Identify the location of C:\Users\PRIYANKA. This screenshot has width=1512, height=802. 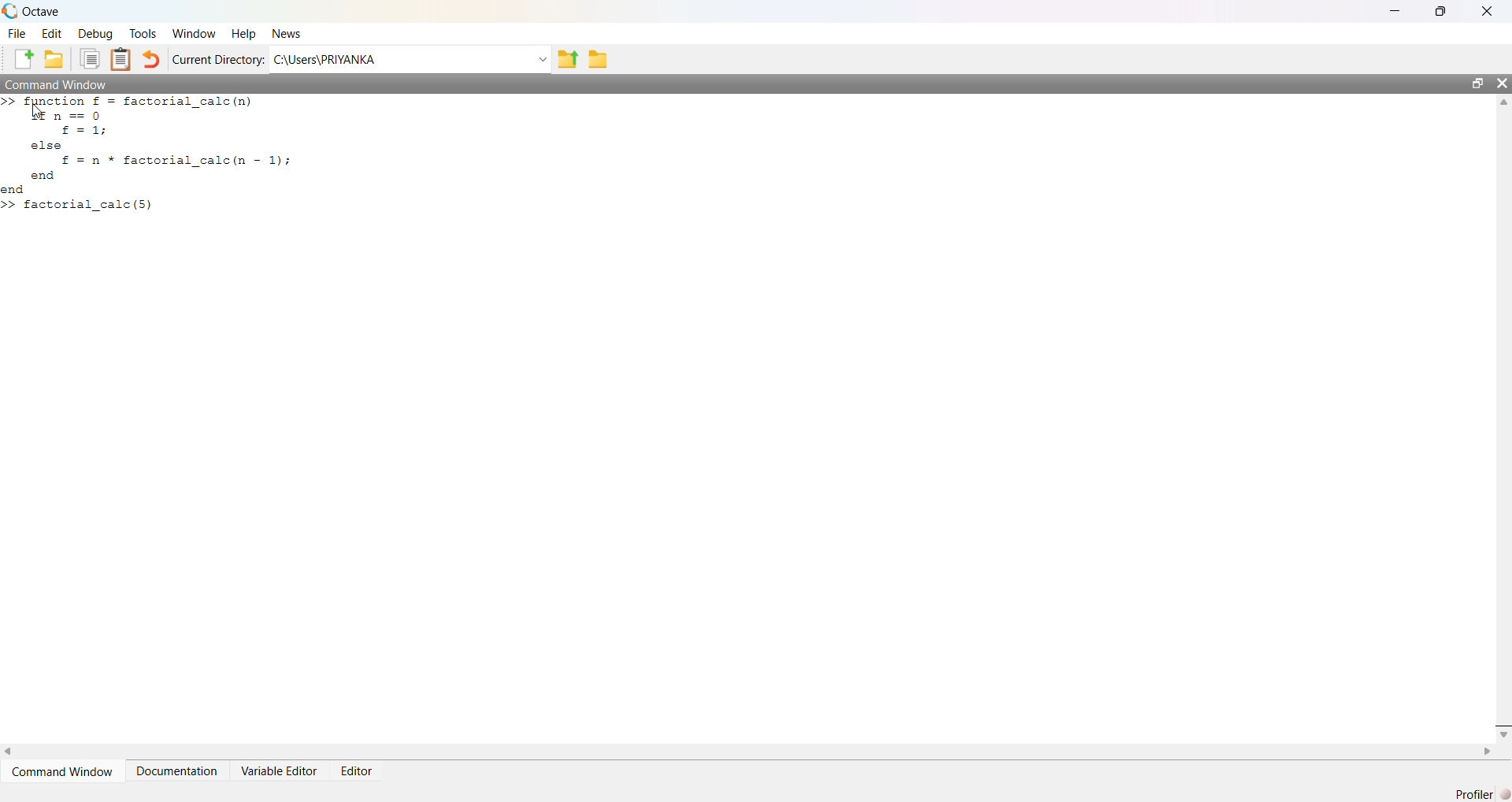
(326, 60).